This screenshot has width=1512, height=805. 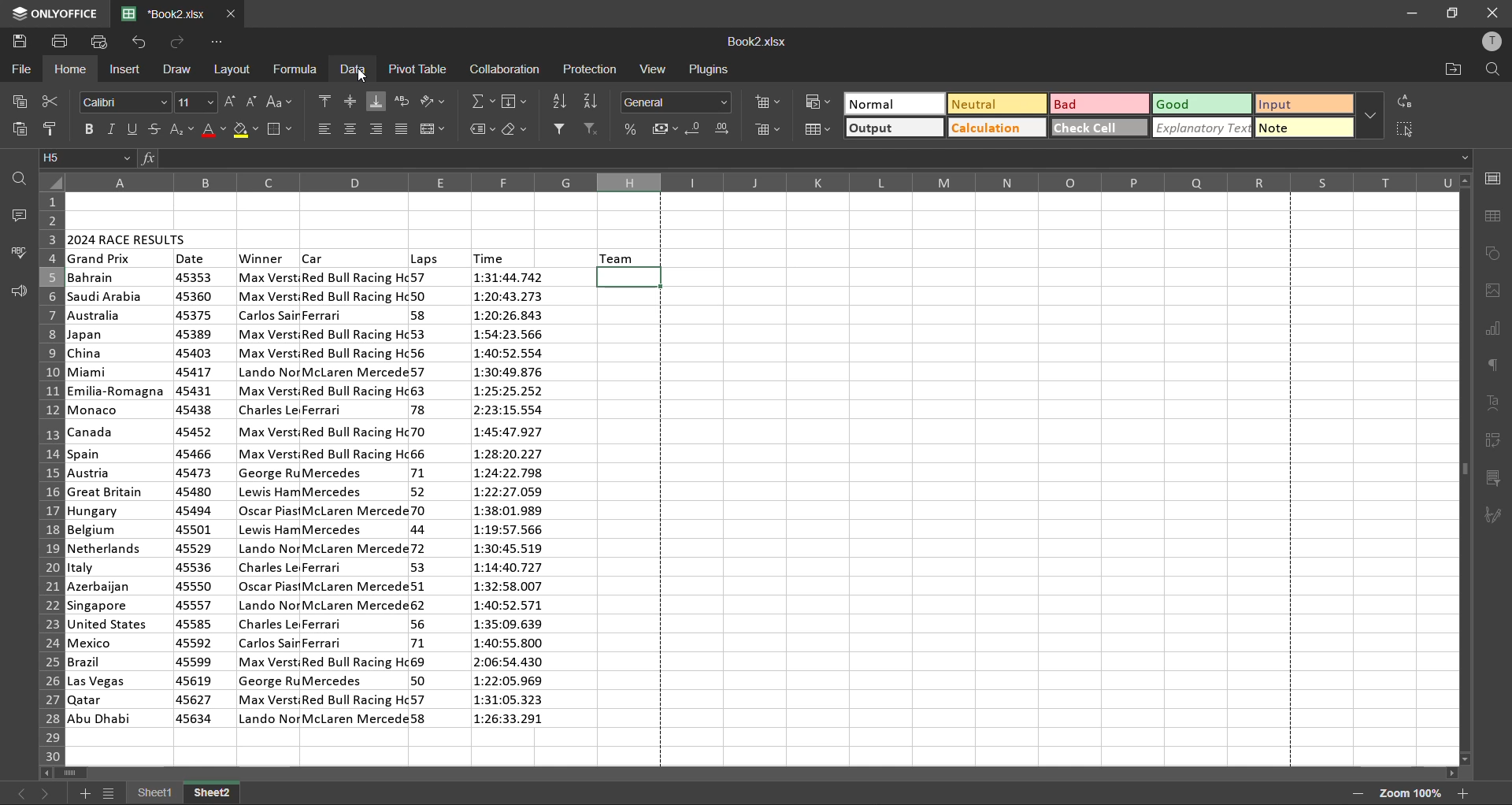 What do you see at coordinates (491, 257) in the screenshot?
I see `time` at bounding box center [491, 257].